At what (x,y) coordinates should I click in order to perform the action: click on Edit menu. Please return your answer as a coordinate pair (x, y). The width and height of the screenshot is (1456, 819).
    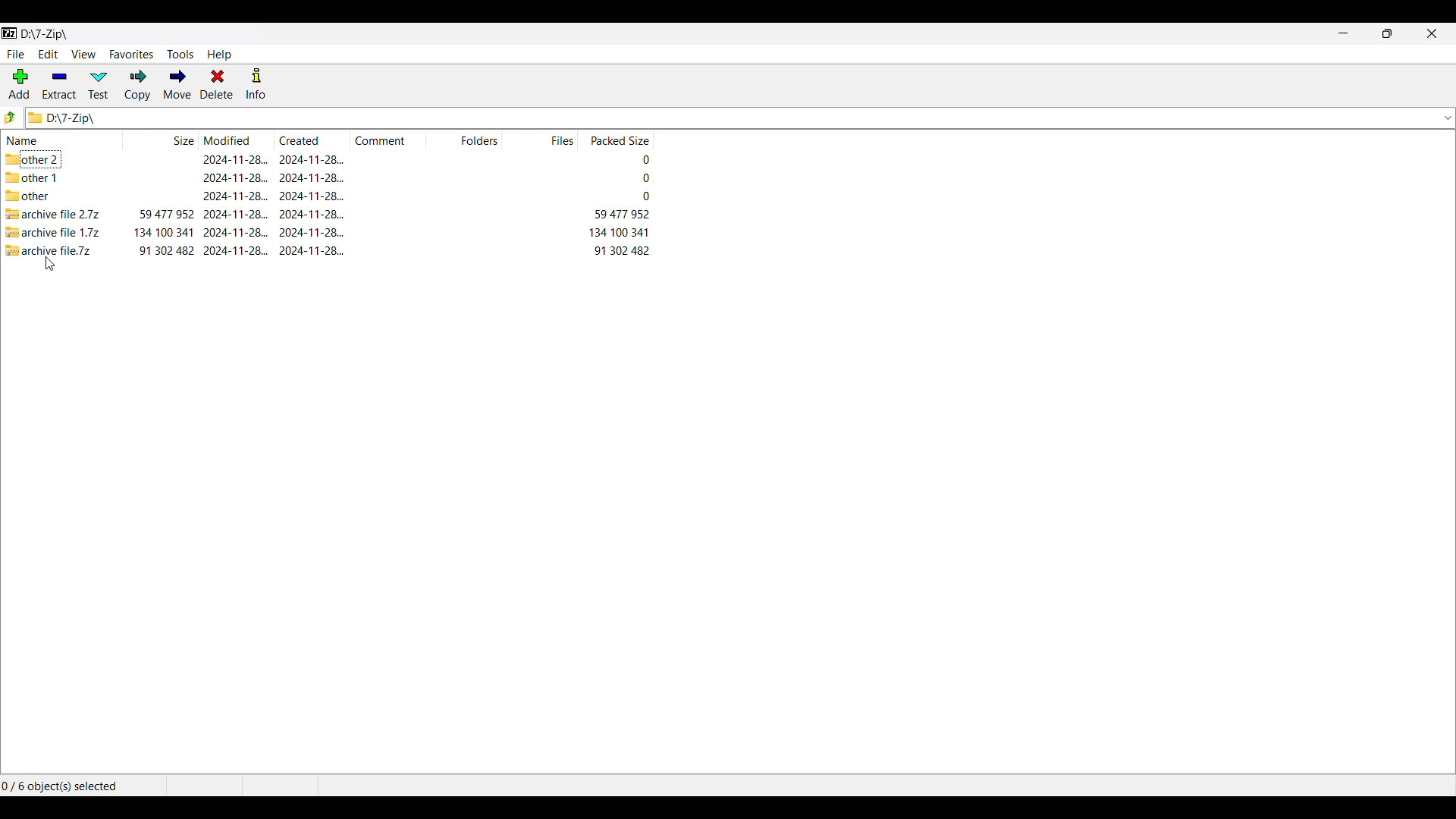
    Looking at the image, I should click on (49, 54).